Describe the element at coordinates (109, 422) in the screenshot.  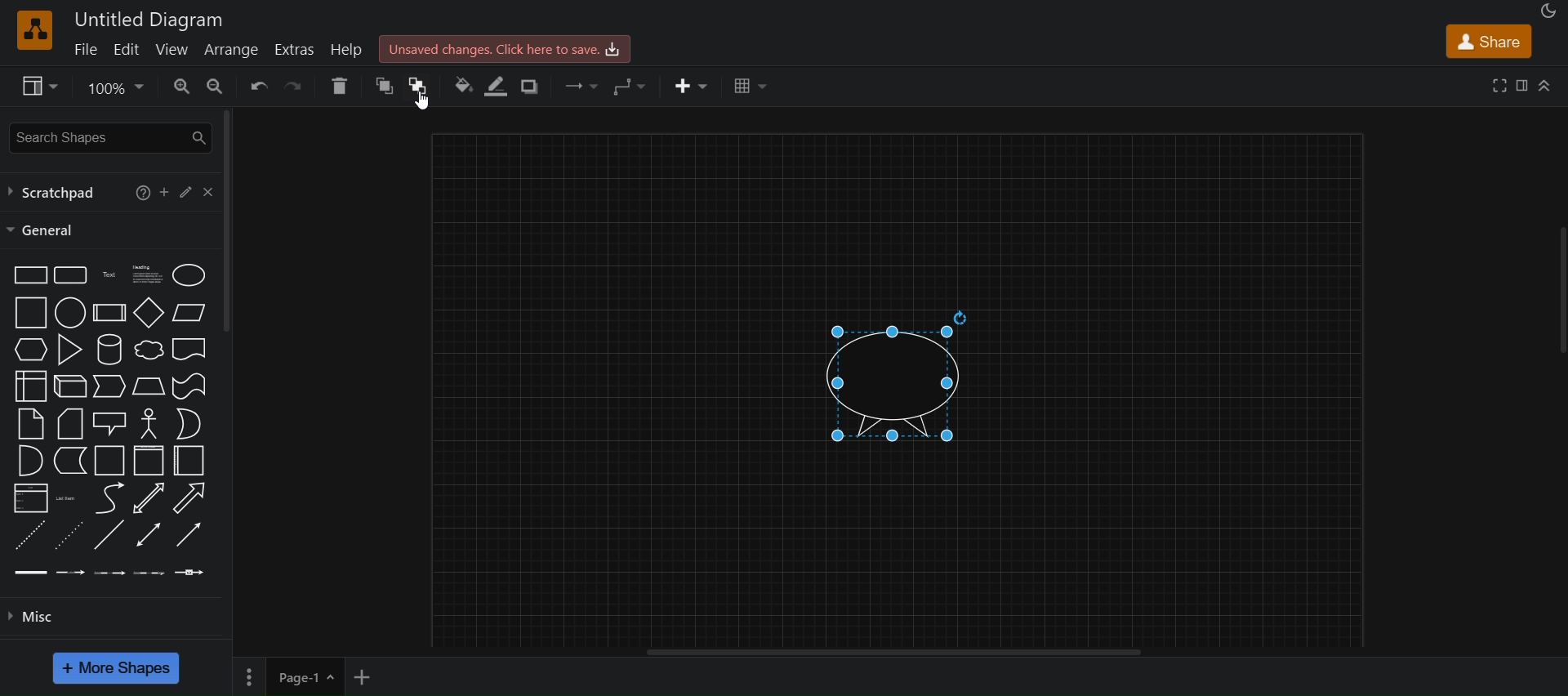
I see `callout` at that location.